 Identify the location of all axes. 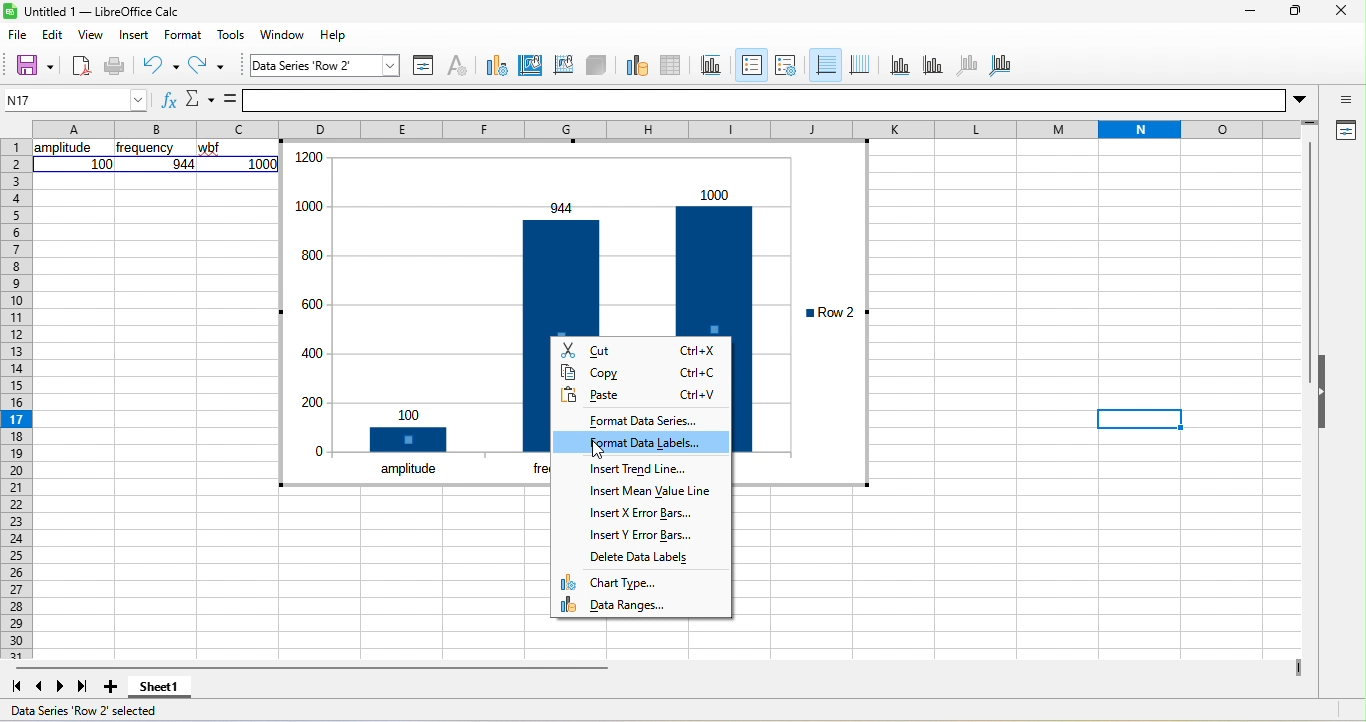
(1004, 63).